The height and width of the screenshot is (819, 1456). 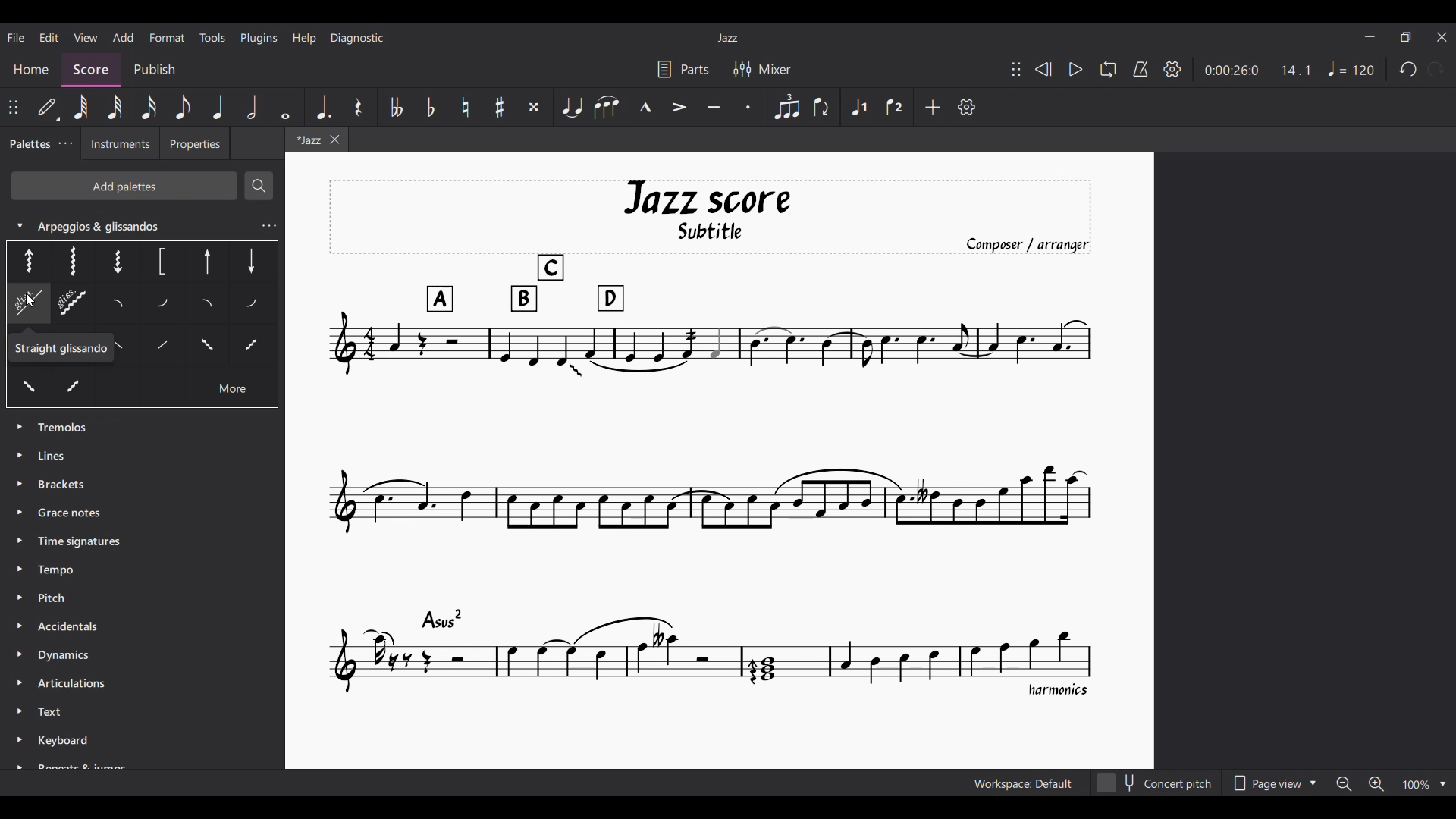 What do you see at coordinates (645, 107) in the screenshot?
I see `Marcato` at bounding box center [645, 107].